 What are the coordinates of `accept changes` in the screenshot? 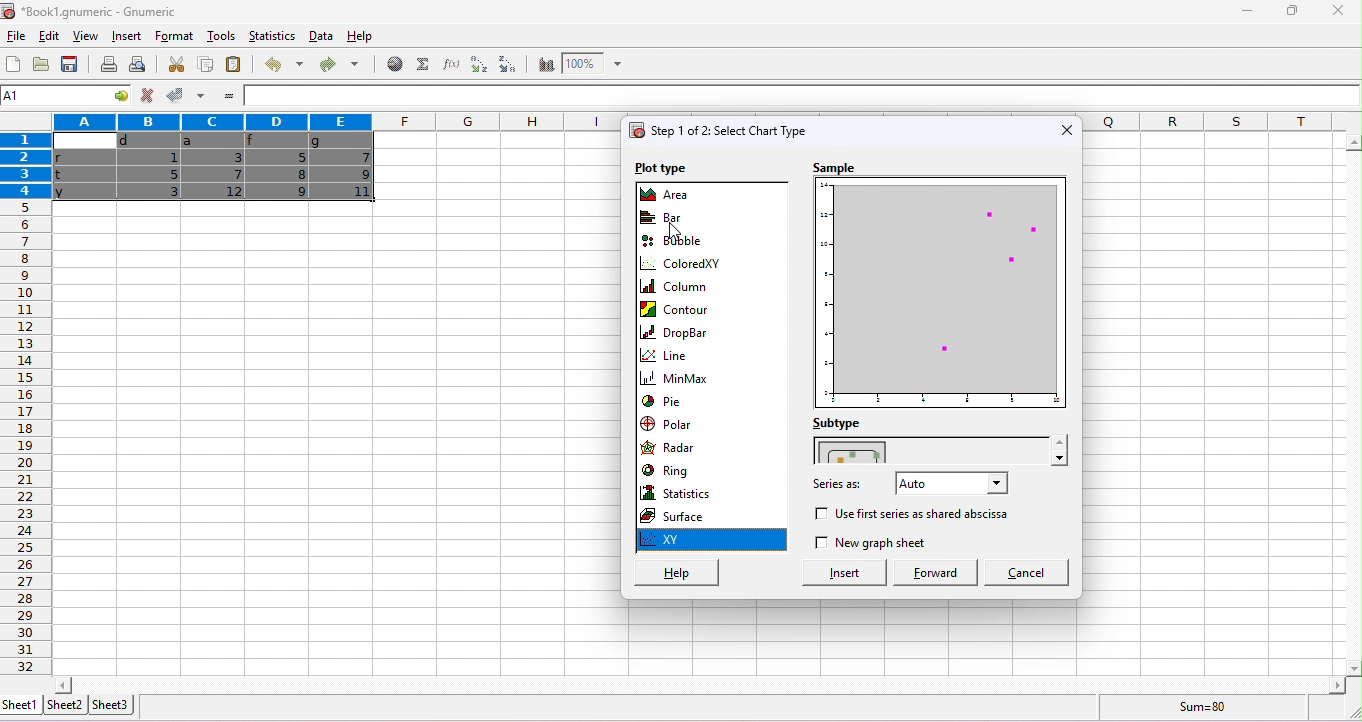 It's located at (176, 94).